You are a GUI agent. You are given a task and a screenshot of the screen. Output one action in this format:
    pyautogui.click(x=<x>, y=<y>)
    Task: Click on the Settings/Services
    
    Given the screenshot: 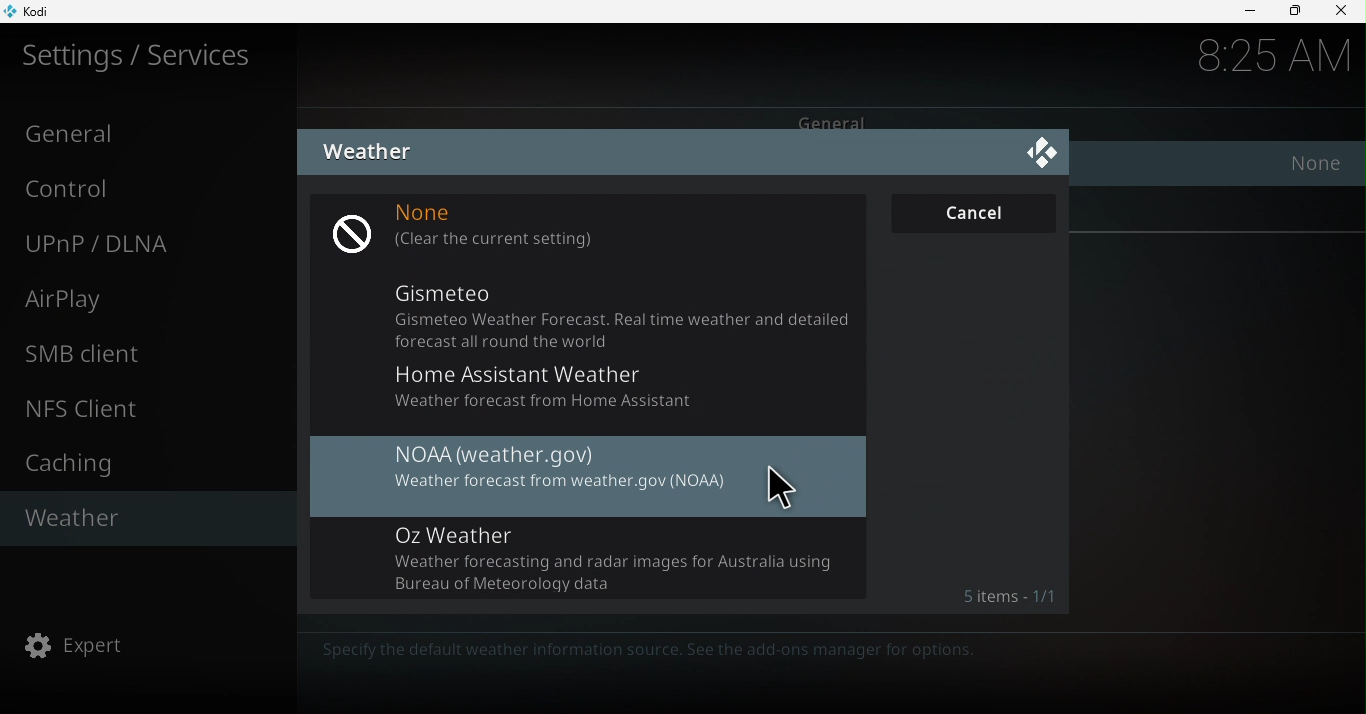 What is the action you would take?
    pyautogui.click(x=140, y=63)
    